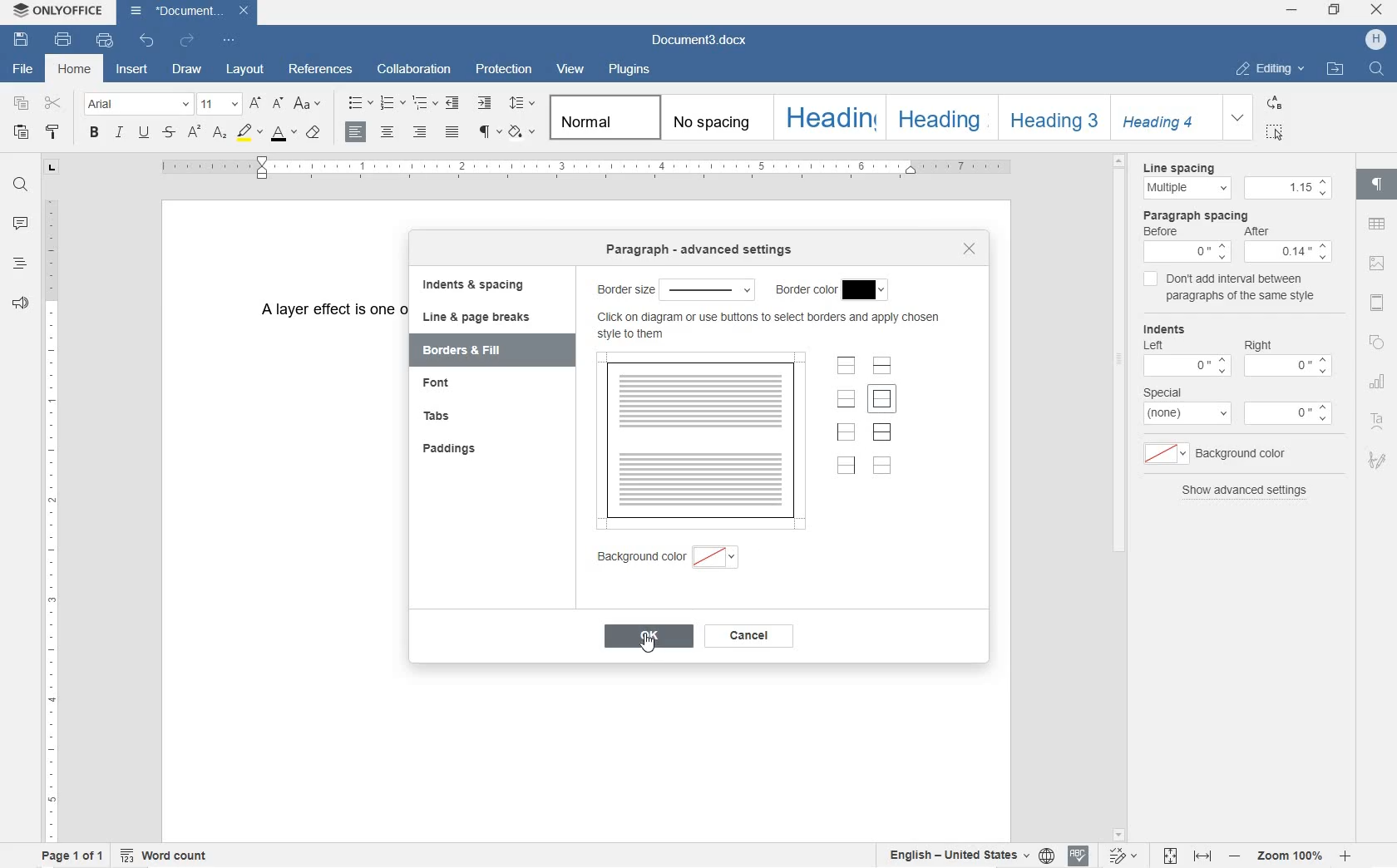  I want to click on SHADING, so click(523, 131).